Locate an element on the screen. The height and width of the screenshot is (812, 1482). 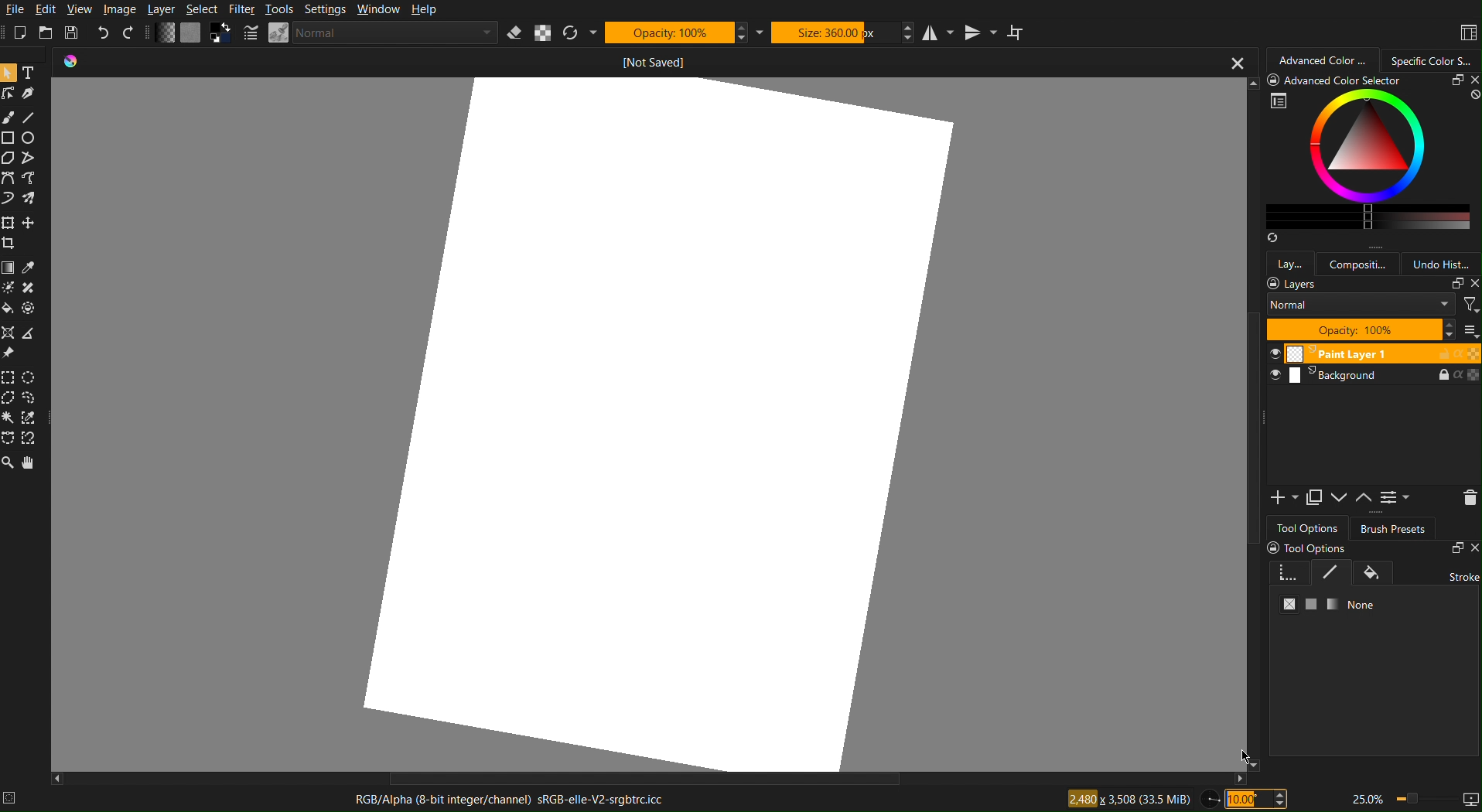
Window is located at coordinates (381, 10).